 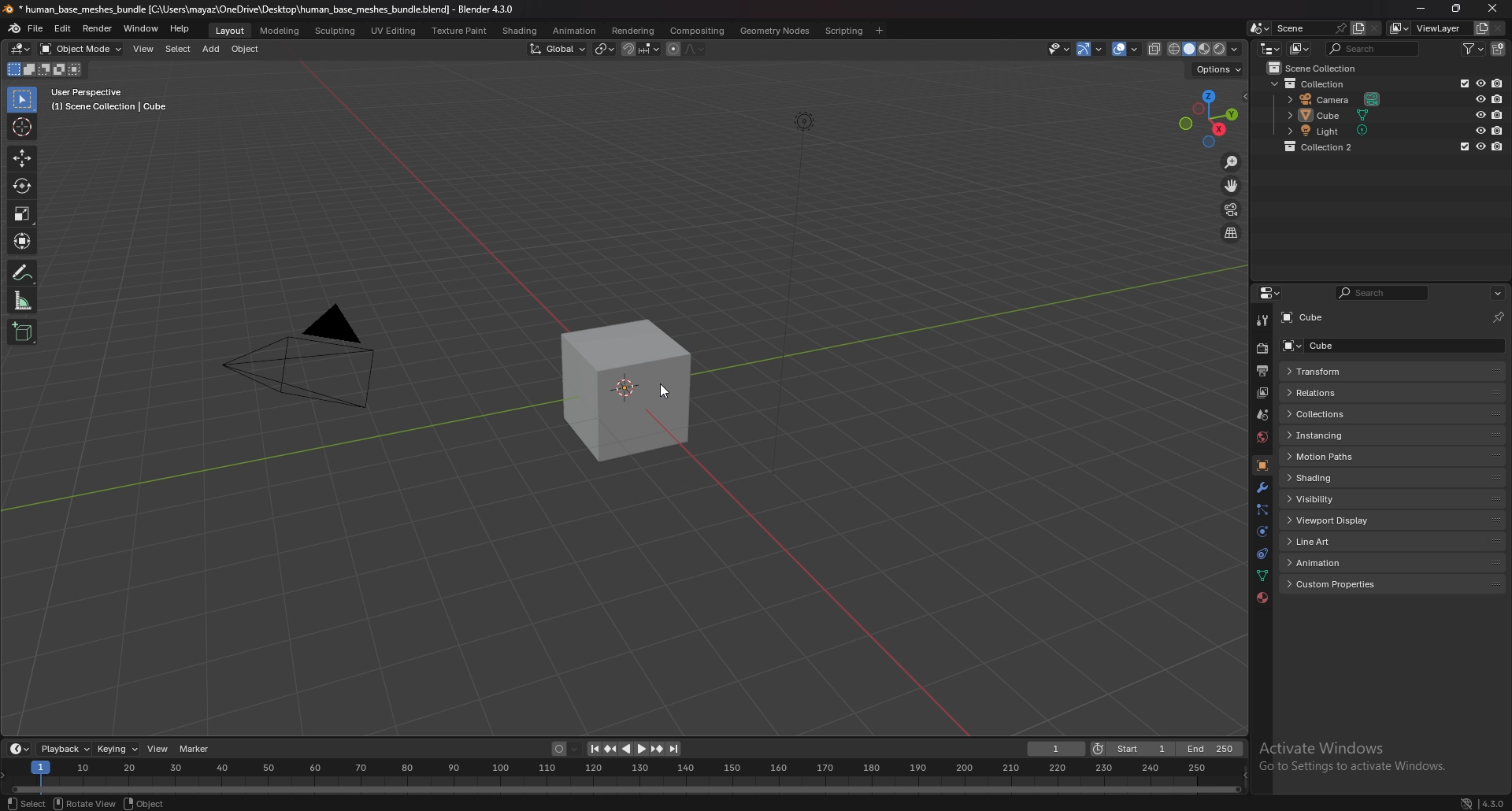 I want to click on browse scene, so click(x=1260, y=28).